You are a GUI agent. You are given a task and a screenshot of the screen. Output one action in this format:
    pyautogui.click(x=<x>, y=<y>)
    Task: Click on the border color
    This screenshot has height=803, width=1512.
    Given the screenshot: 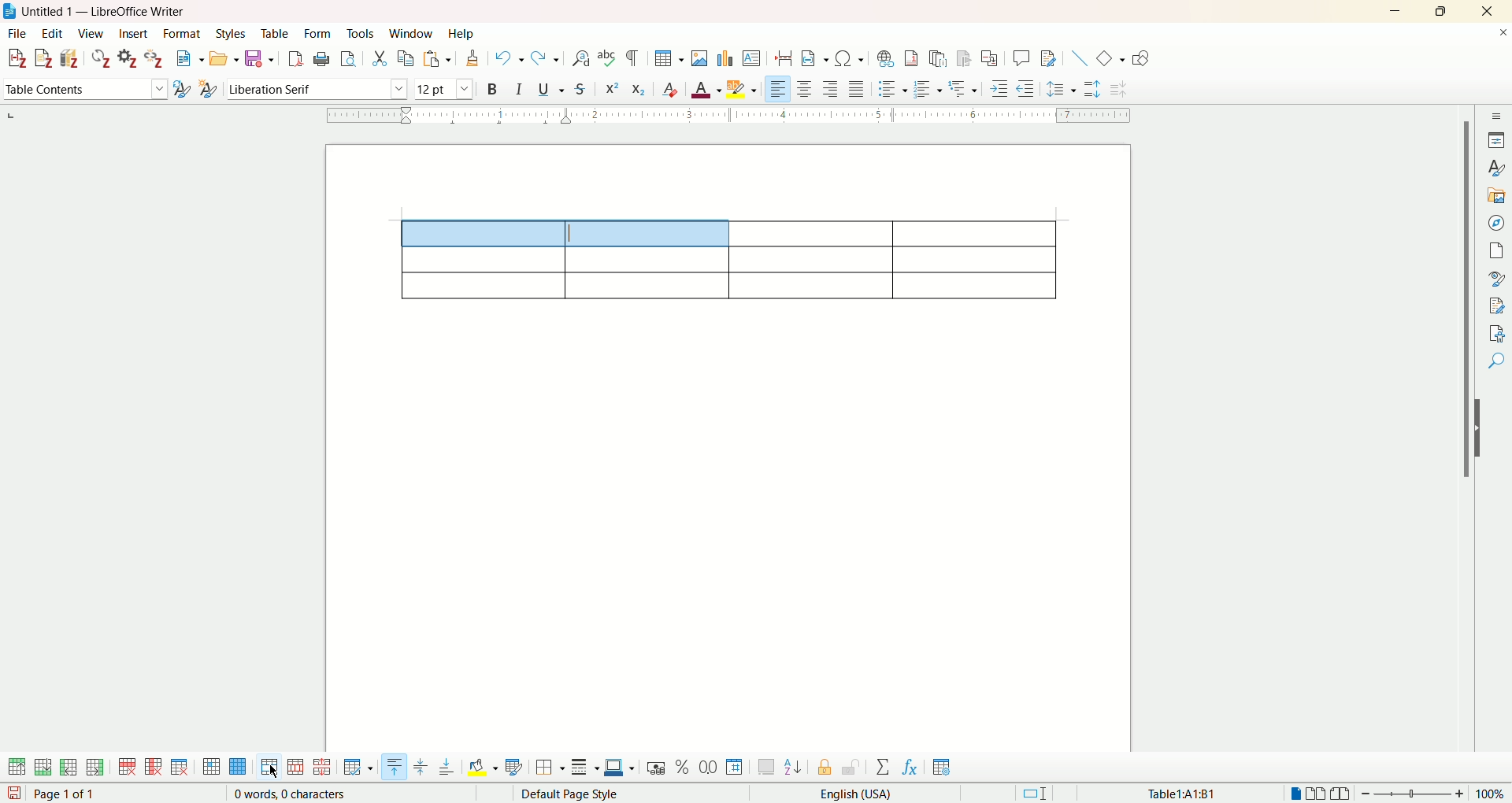 What is the action you would take?
    pyautogui.click(x=621, y=768)
    